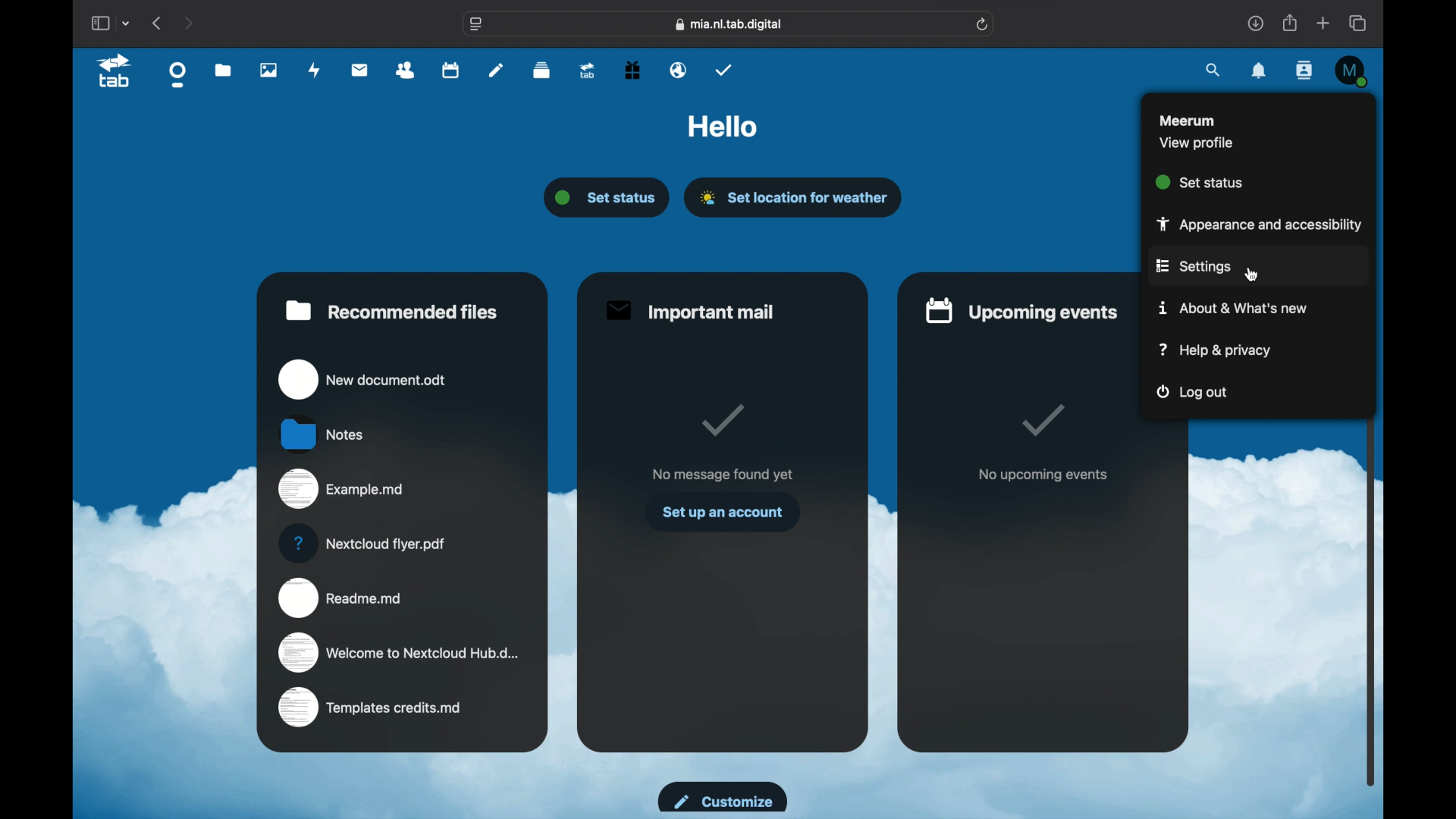  Describe the element at coordinates (1214, 71) in the screenshot. I see `search` at that location.